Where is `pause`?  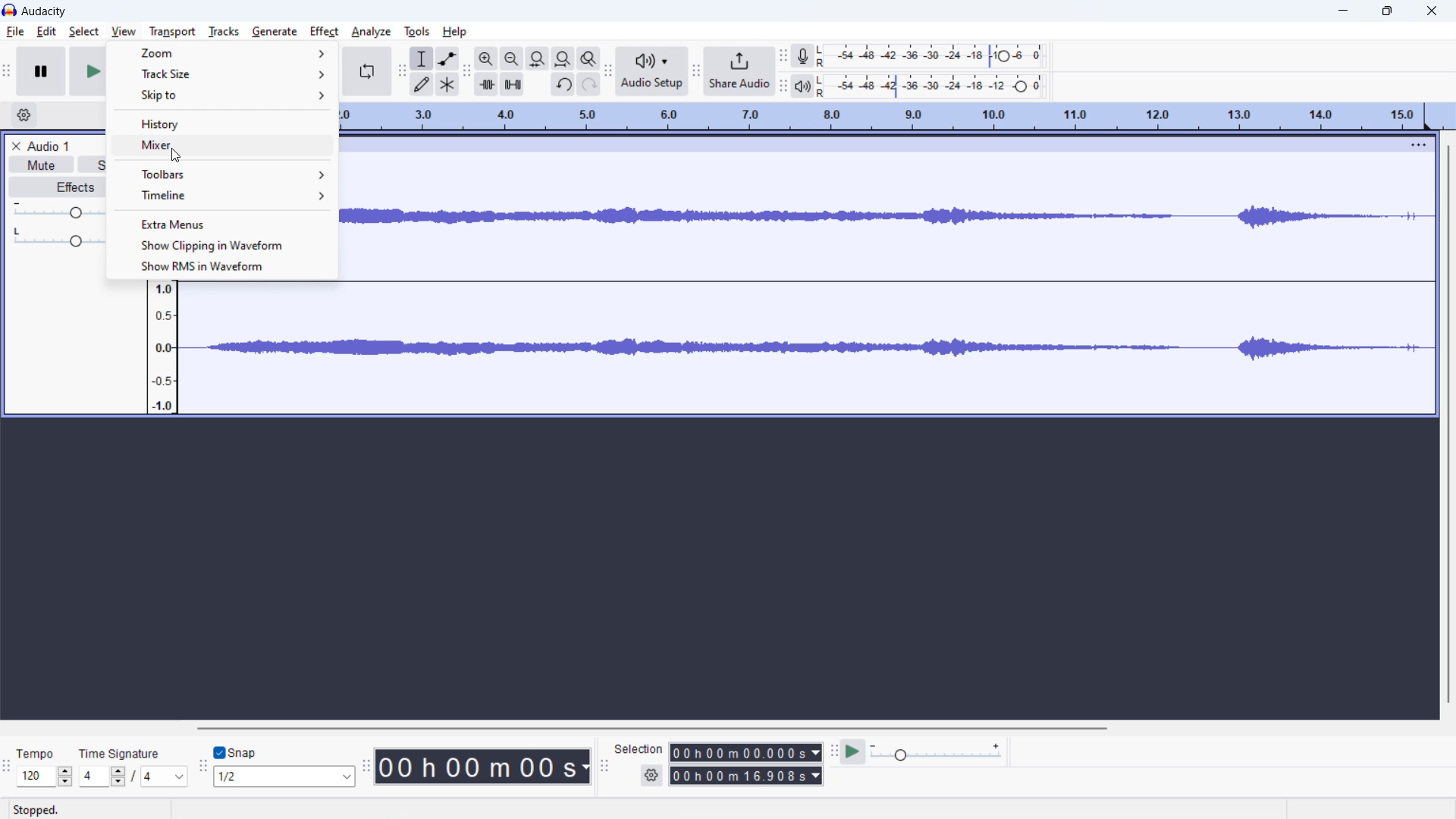 pause is located at coordinates (41, 71).